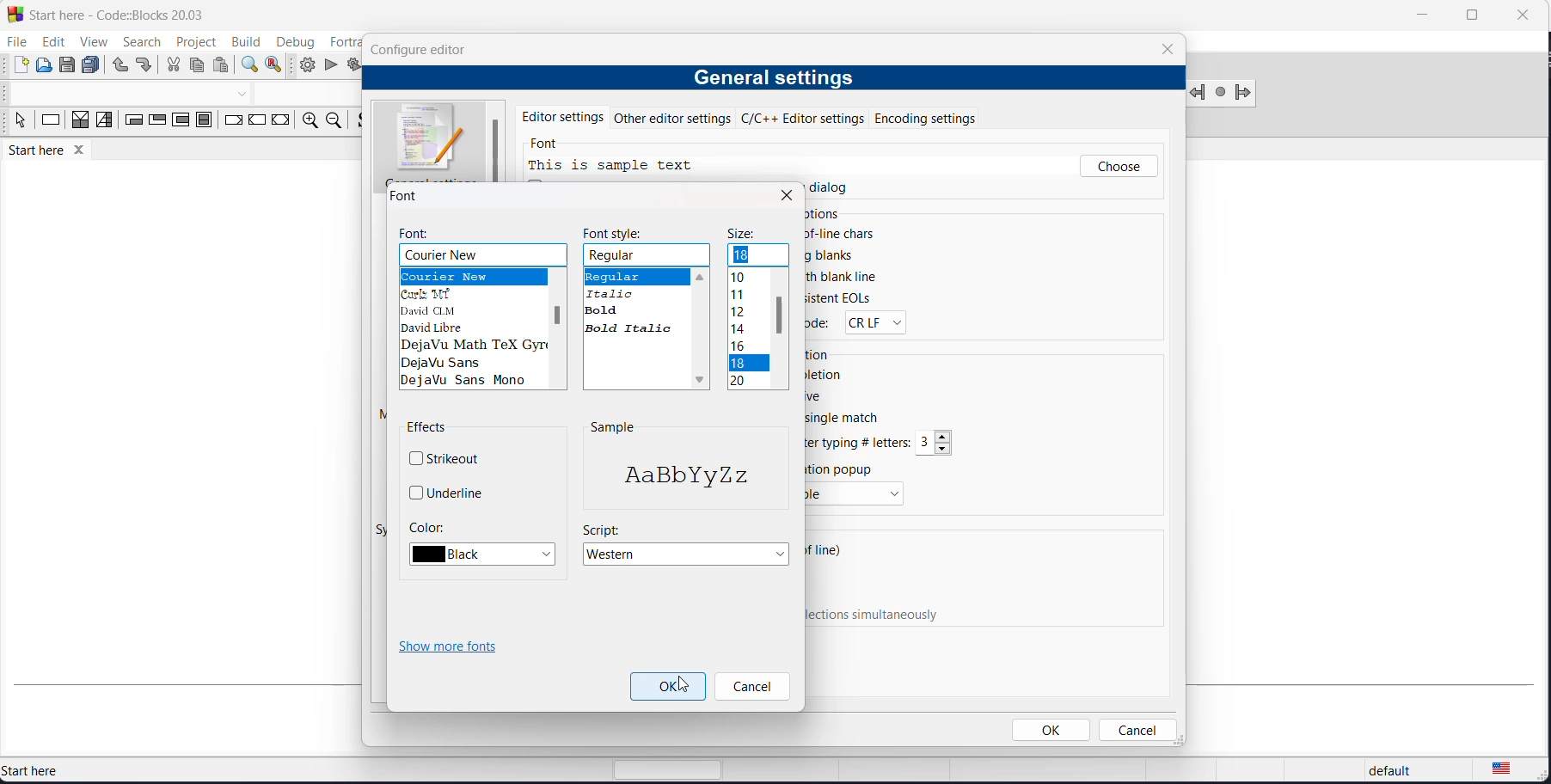  What do you see at coordinates (617, 233) in the screenshot?
I see `font style heading` at bounding box center [617, 233].